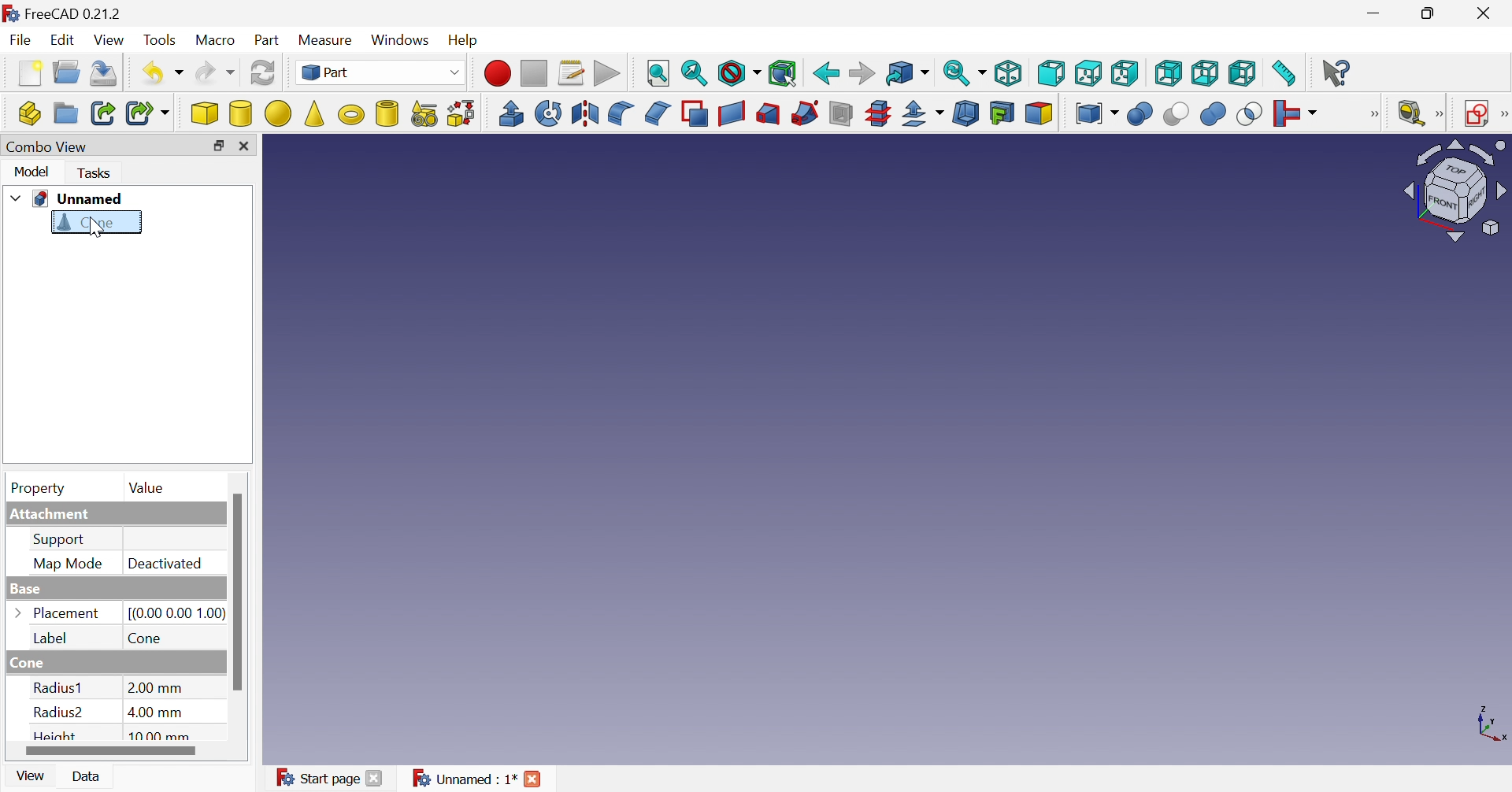  Describe the element at coordinates (574, 69) in the screenshot. I see `Macros` at that location.